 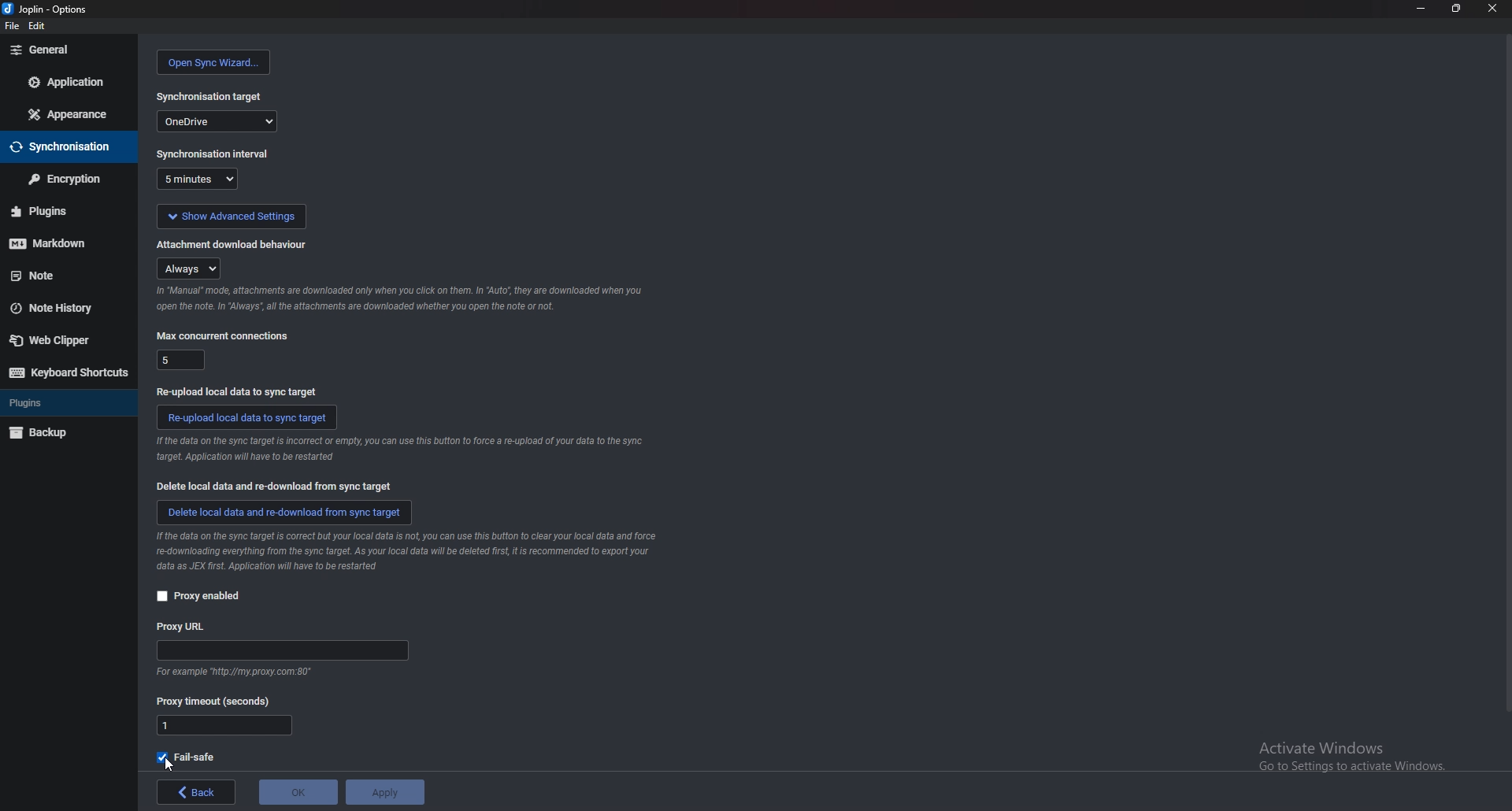 What do you see at coordinates (246, 417) in the screenshot?
I see `reupload data` at bounding box center [246, 417].